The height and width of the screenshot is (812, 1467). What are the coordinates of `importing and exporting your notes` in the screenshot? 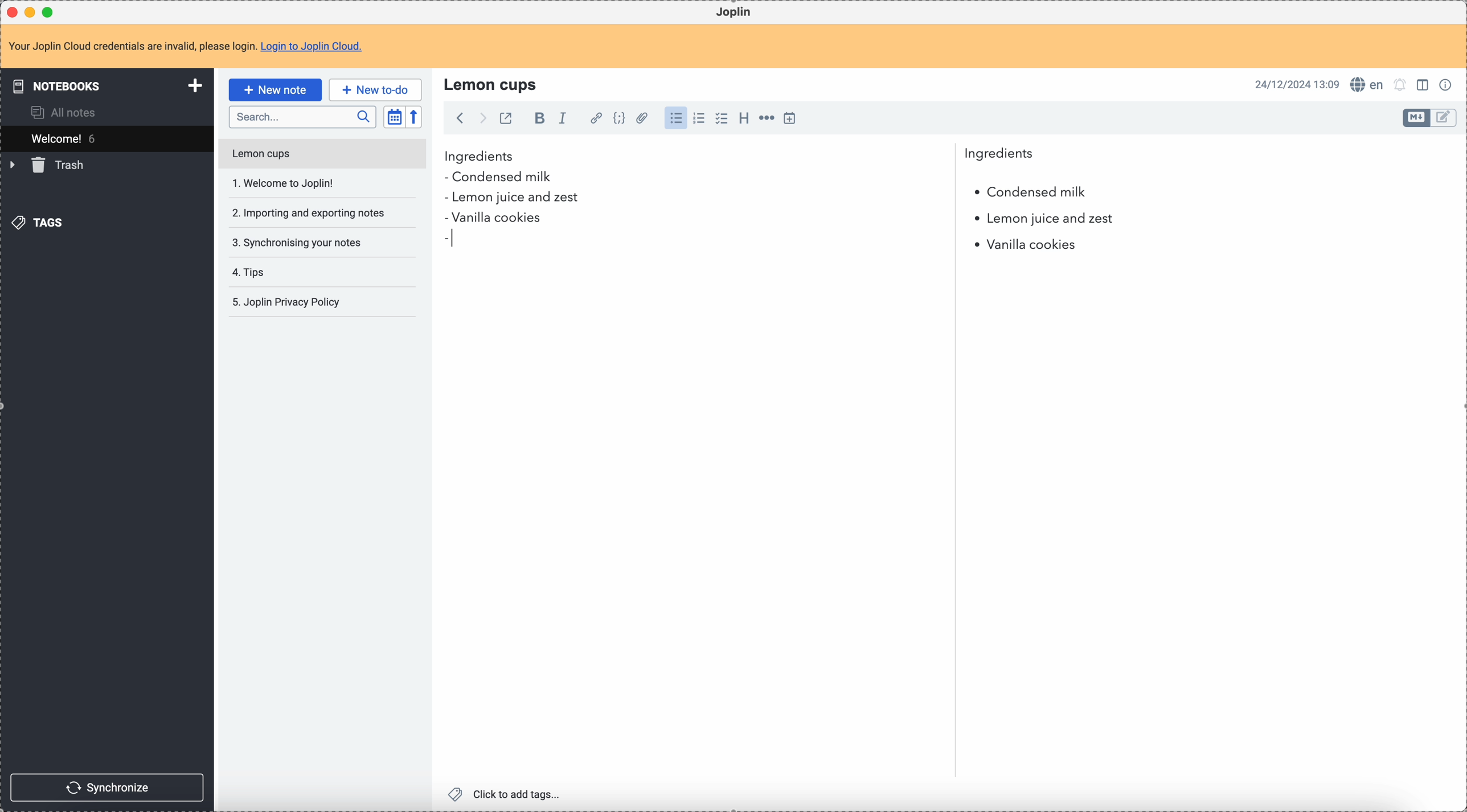 It's located at (310, 213).